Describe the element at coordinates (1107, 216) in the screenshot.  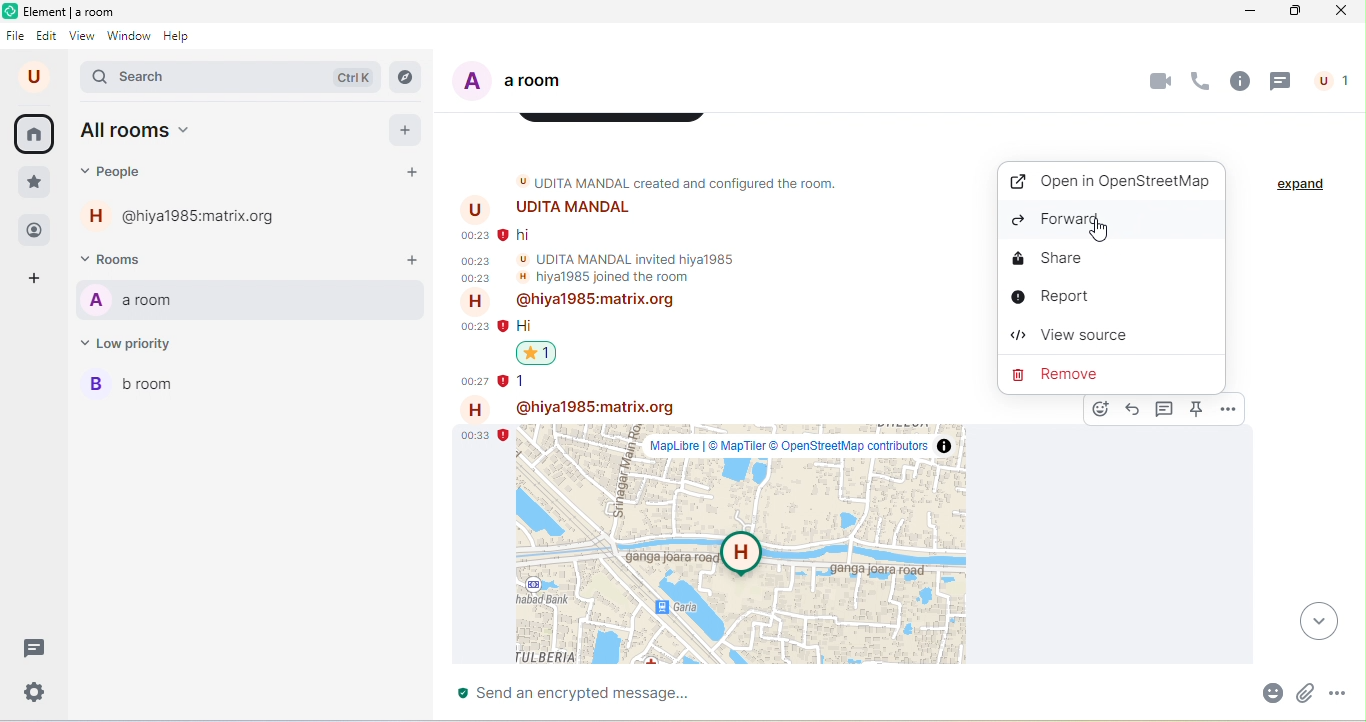
I see `` at that location.